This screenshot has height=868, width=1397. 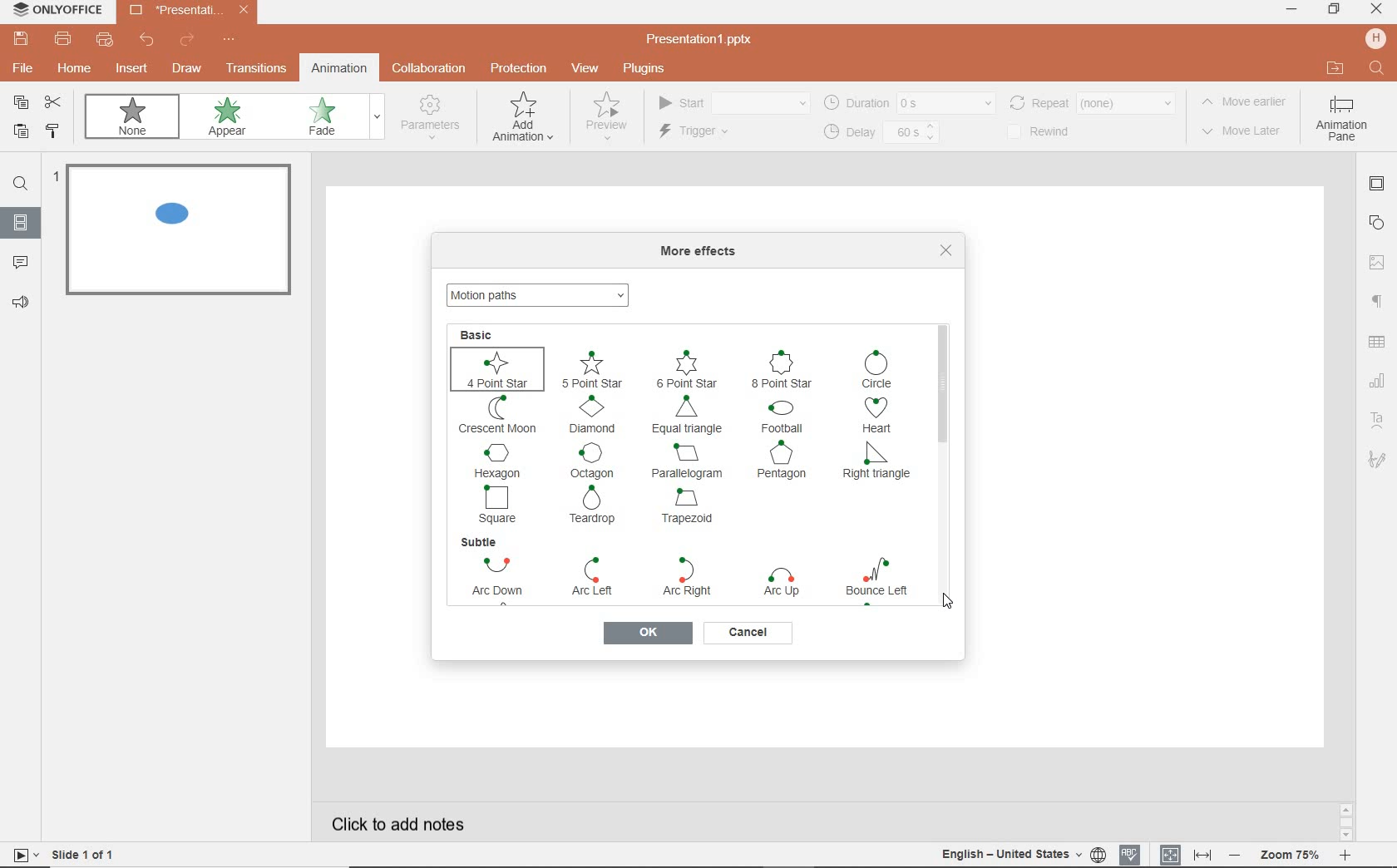 What do you see at coordinates (1341, 121) in the screenshot?
I see `Animation pane` at bounding box center [1341, 121].